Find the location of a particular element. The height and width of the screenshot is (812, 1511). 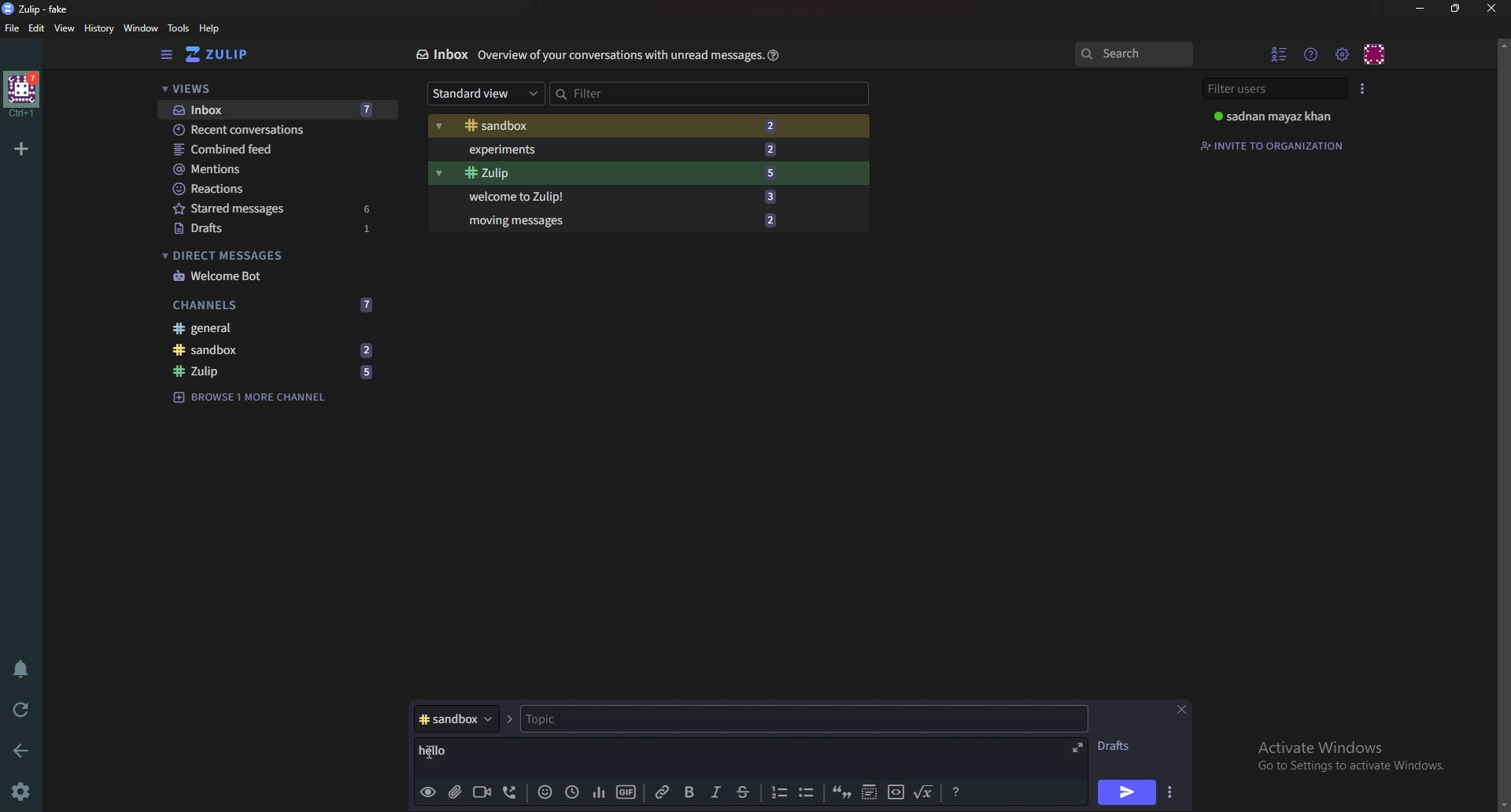

scroll bar is located at coordinates (1502, 422).